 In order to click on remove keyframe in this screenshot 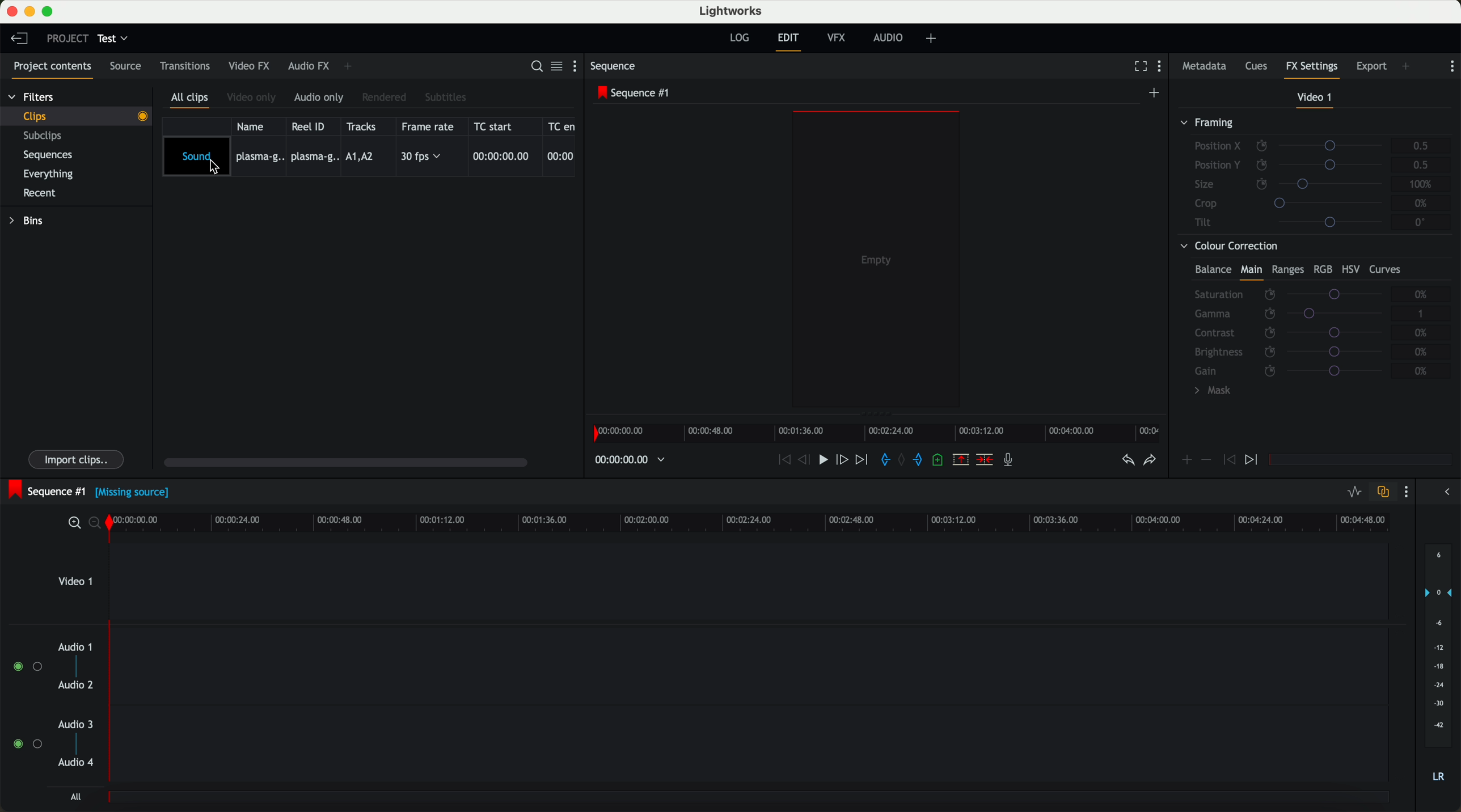, I will do `click(1207, 460)`.